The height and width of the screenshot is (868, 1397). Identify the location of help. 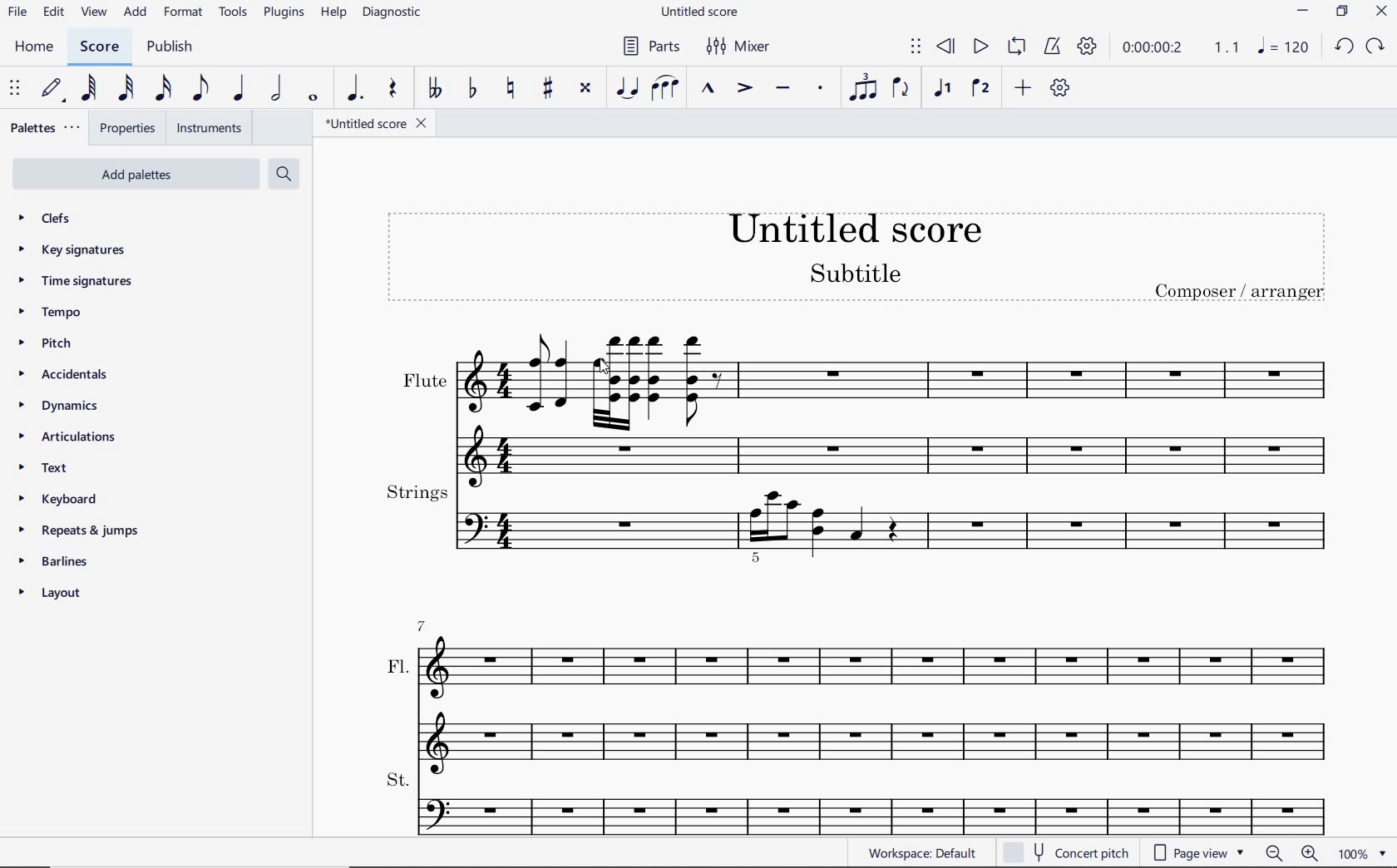
(333, 14).